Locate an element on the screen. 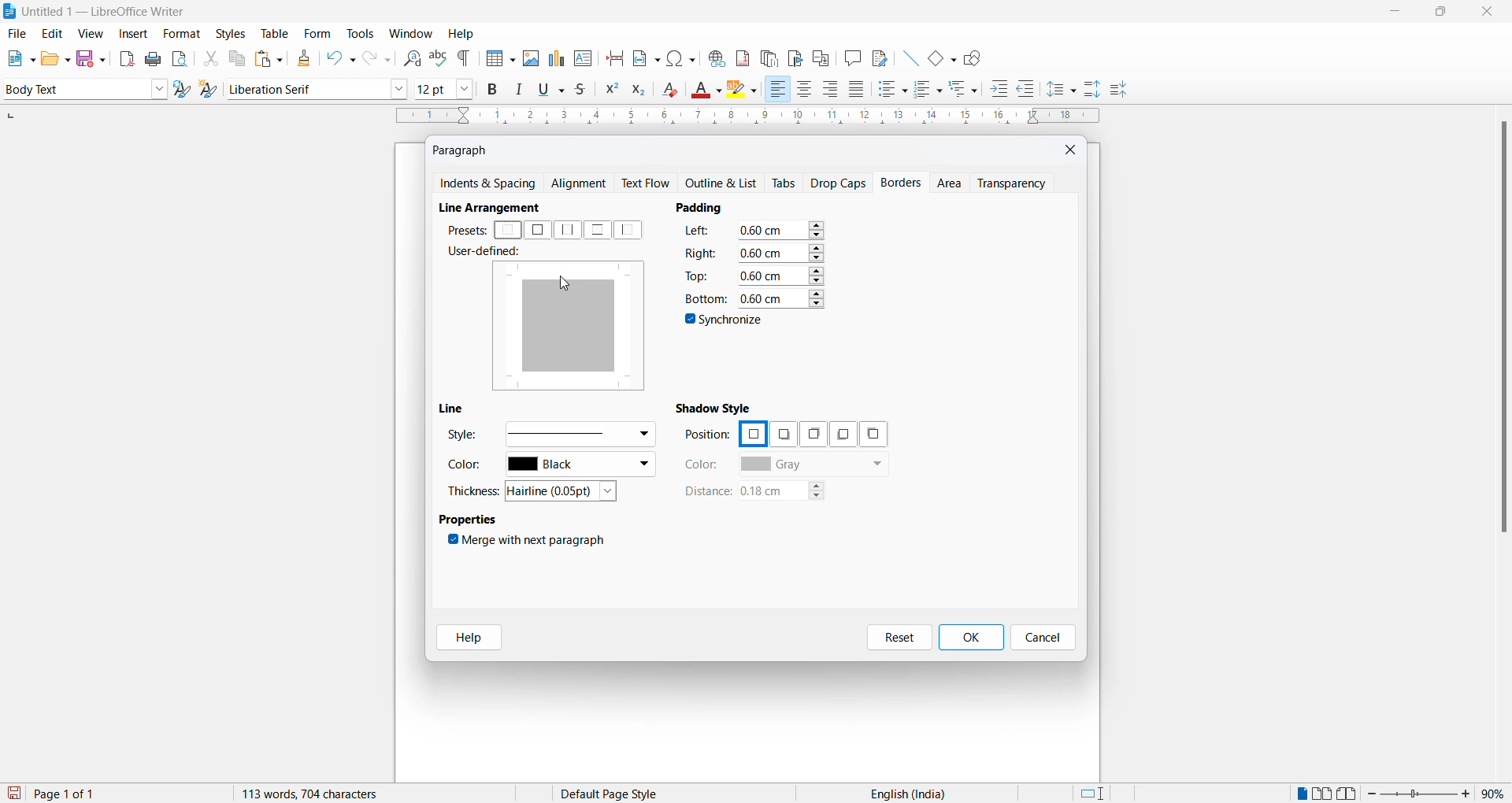 The image size is (1512, 803). value is located at coordinates (781, 274).